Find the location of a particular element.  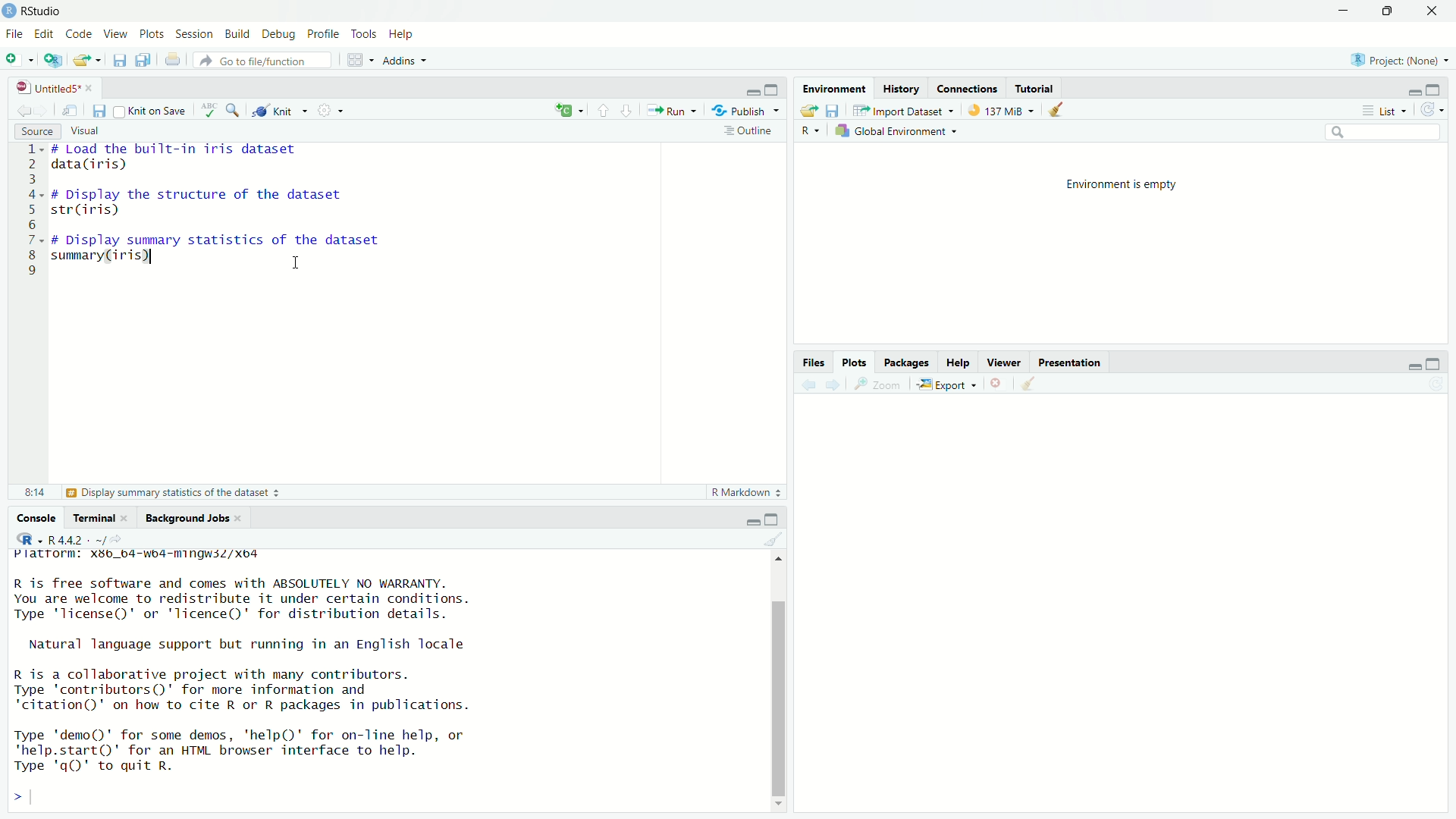

Visual is located at coordinates (86, 131).